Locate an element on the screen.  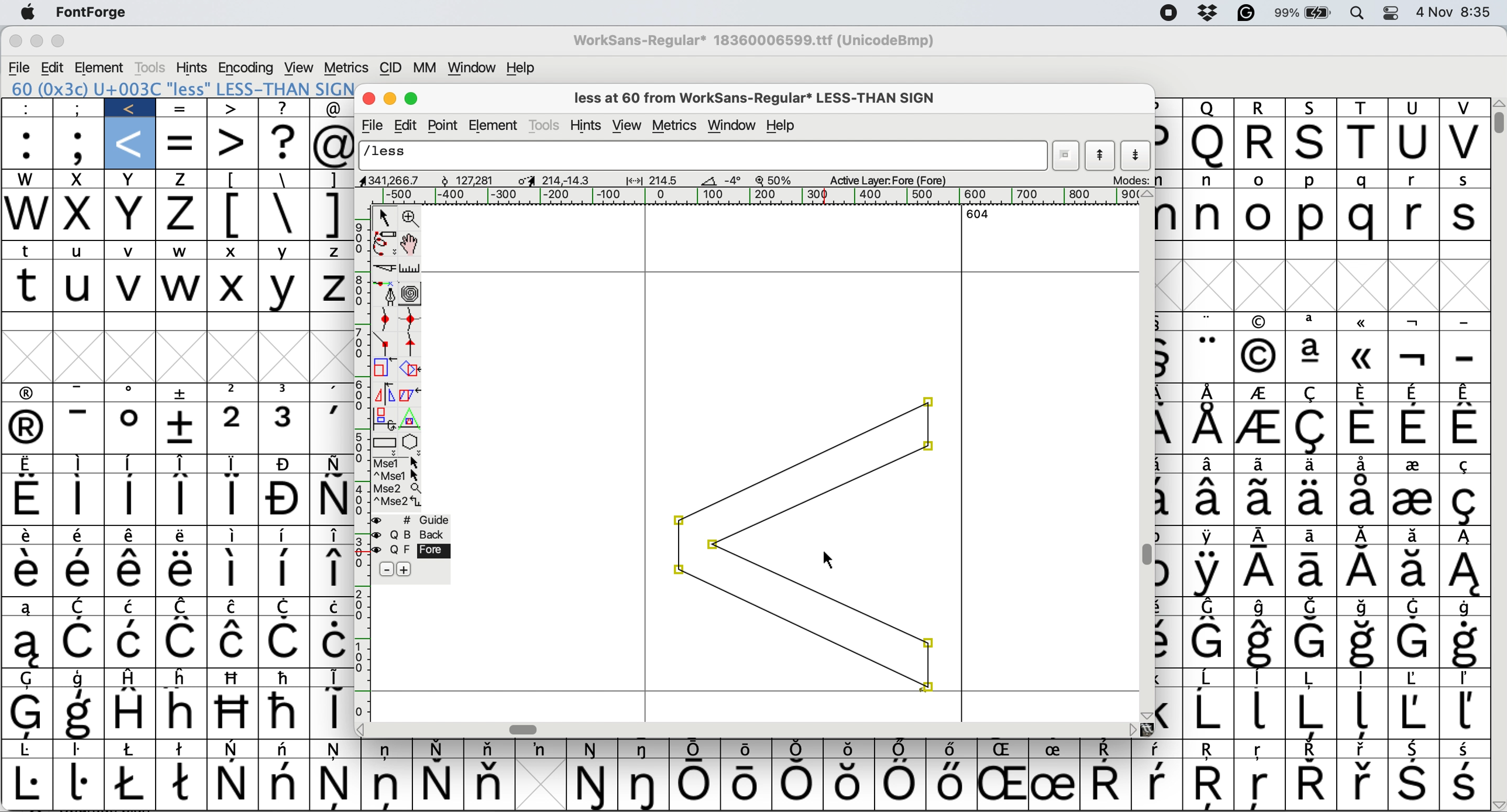
rotate the selection is located at coordinates (410, 369).